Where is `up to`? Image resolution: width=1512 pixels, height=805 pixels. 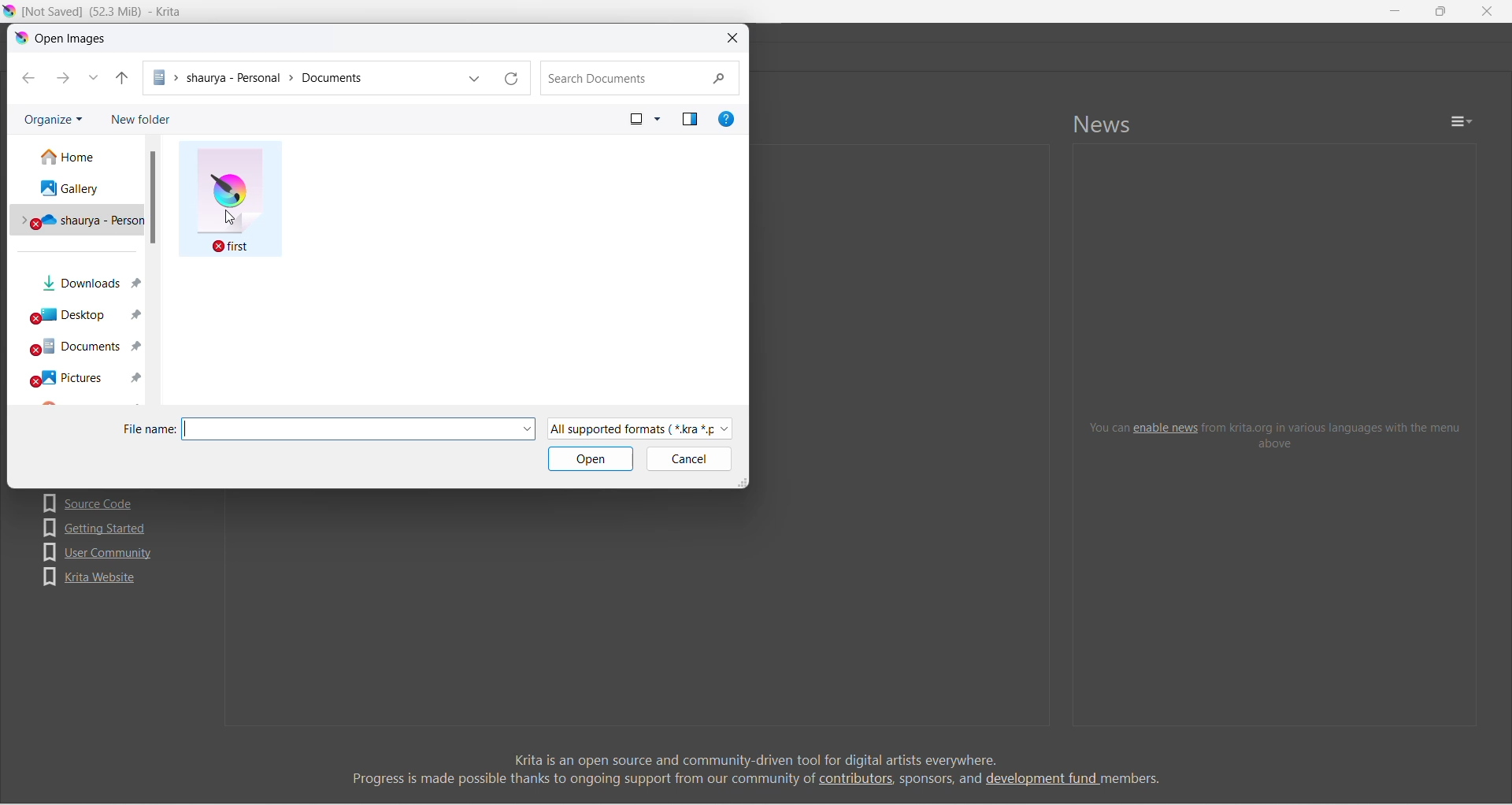 up to is located at coordinates (122, 78).